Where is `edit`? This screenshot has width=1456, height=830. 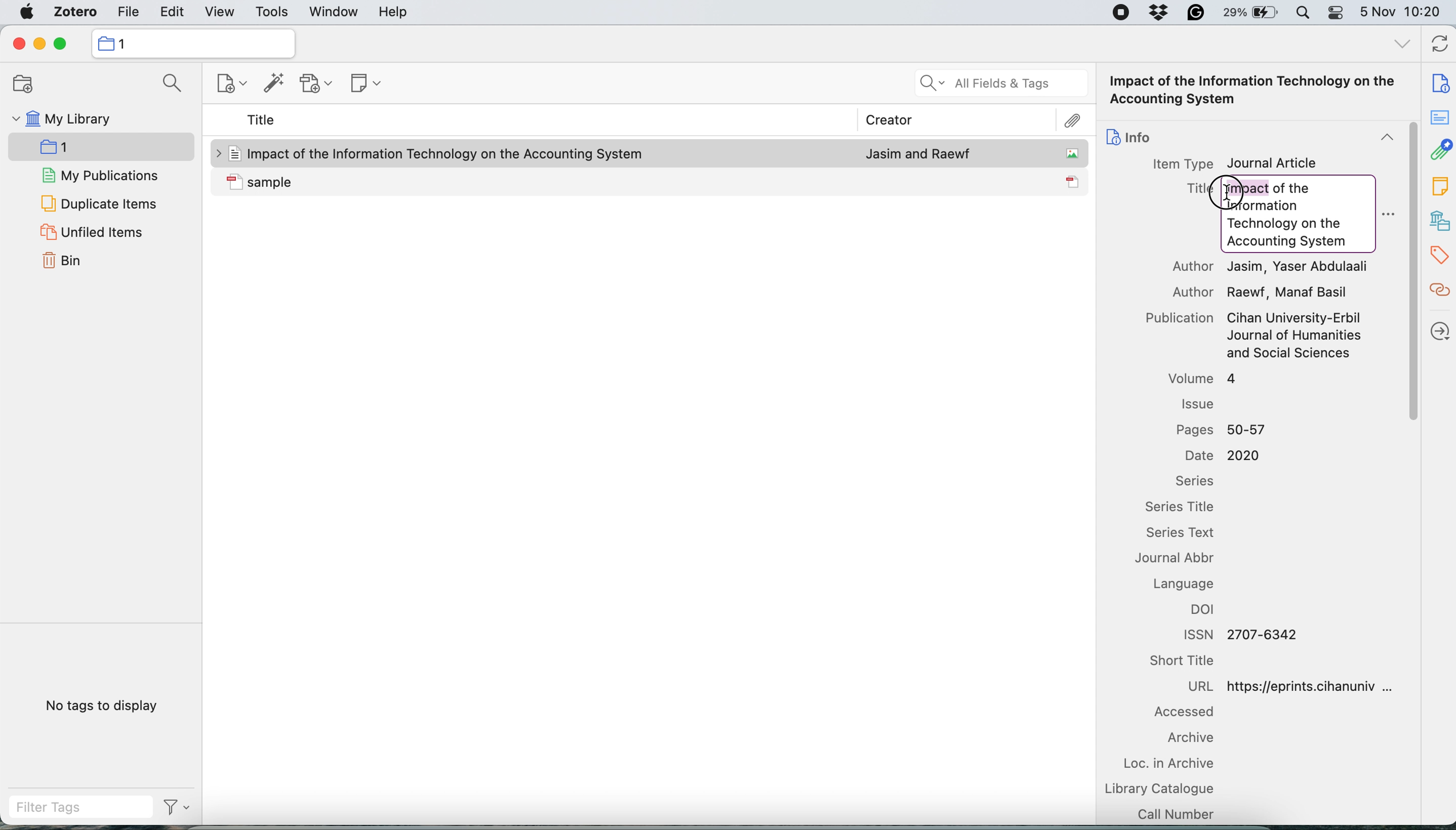
edit is located at coordinates (172, 13).